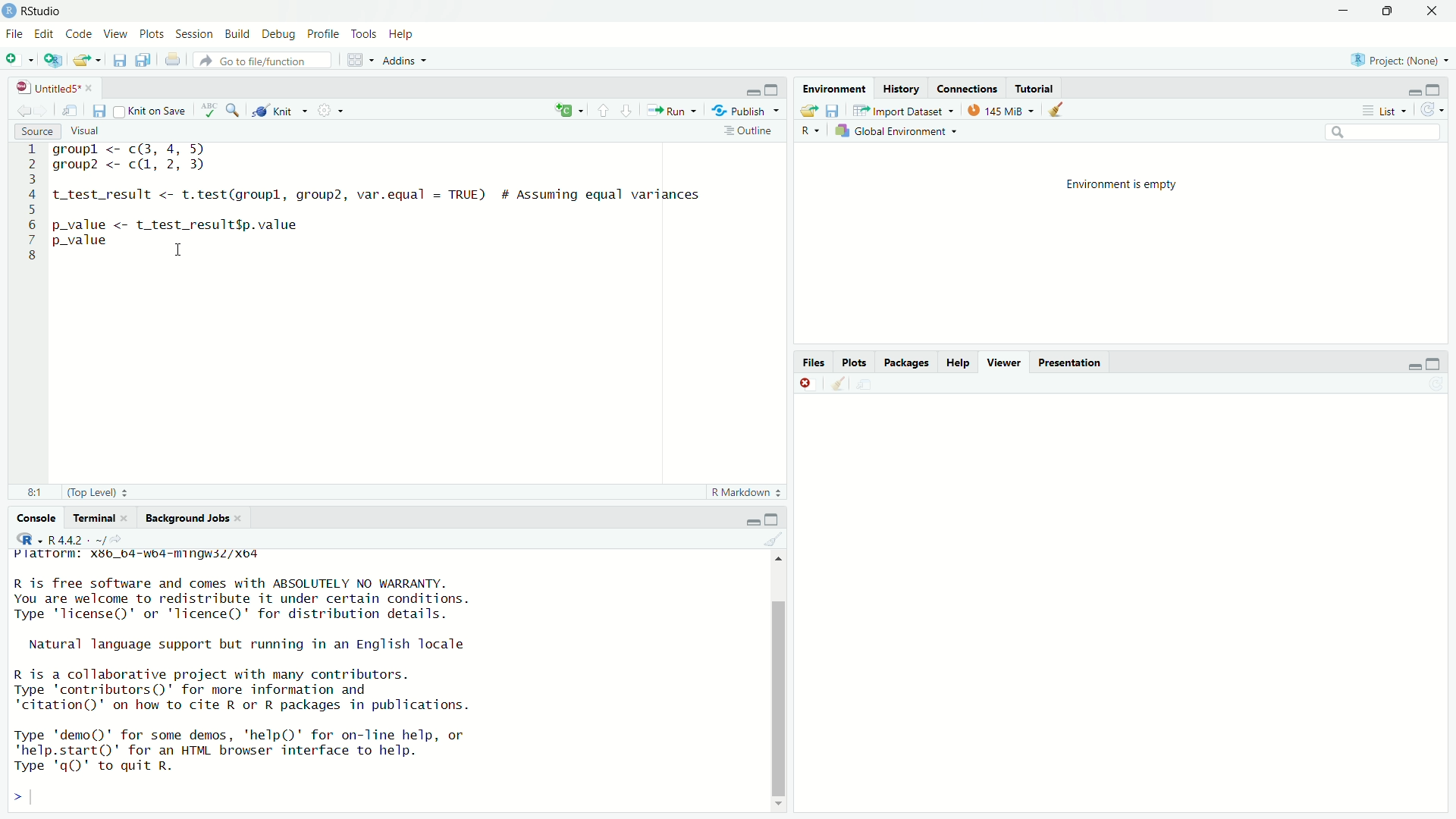 This screenshot has width=1456, height=819. What do you see at coordinates (754, 519) in the screenshot?
I see `minimise` at bounding box center [754, 519].